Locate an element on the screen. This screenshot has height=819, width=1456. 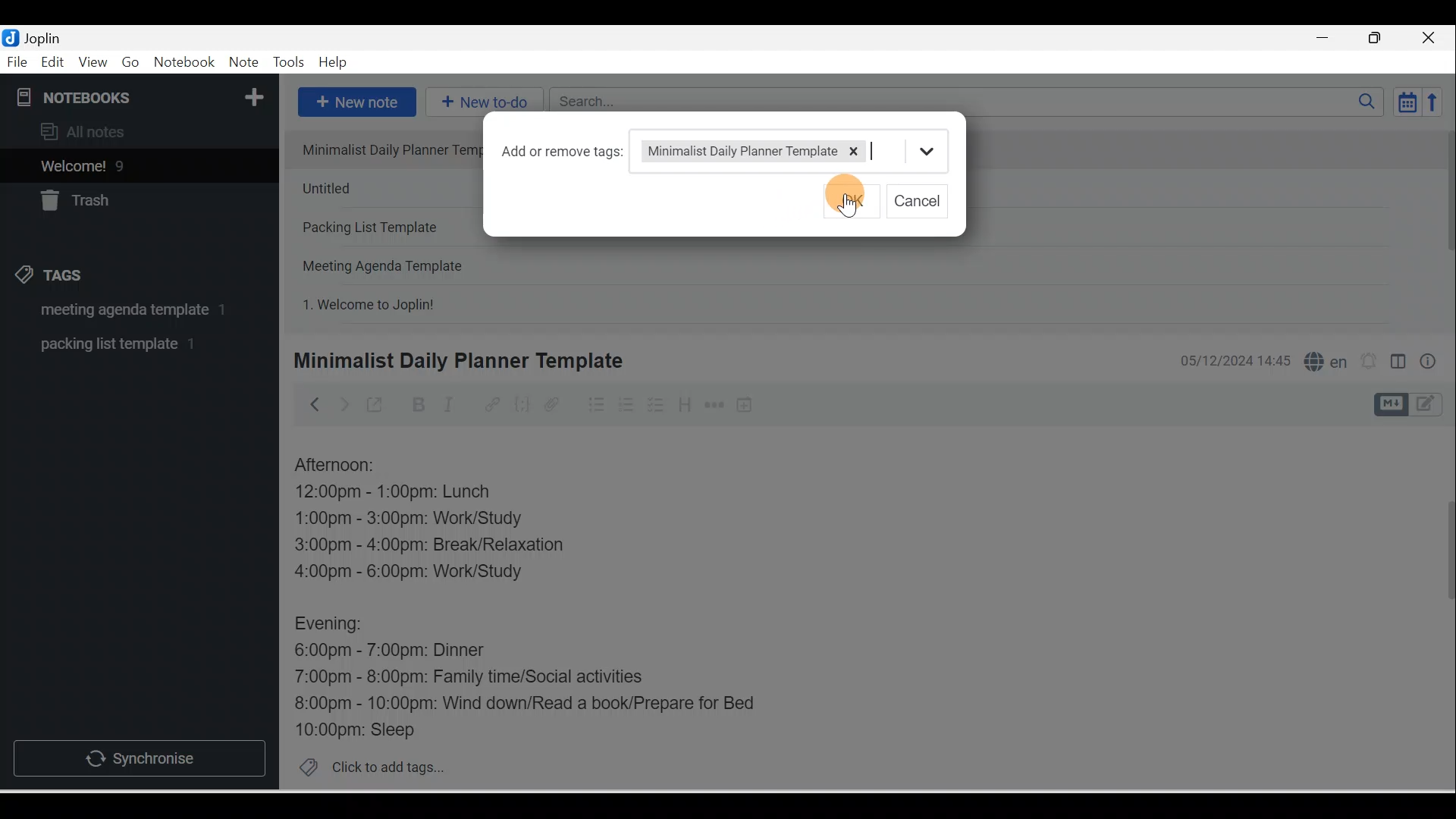
Attach file is located at coordinates (556, 404).